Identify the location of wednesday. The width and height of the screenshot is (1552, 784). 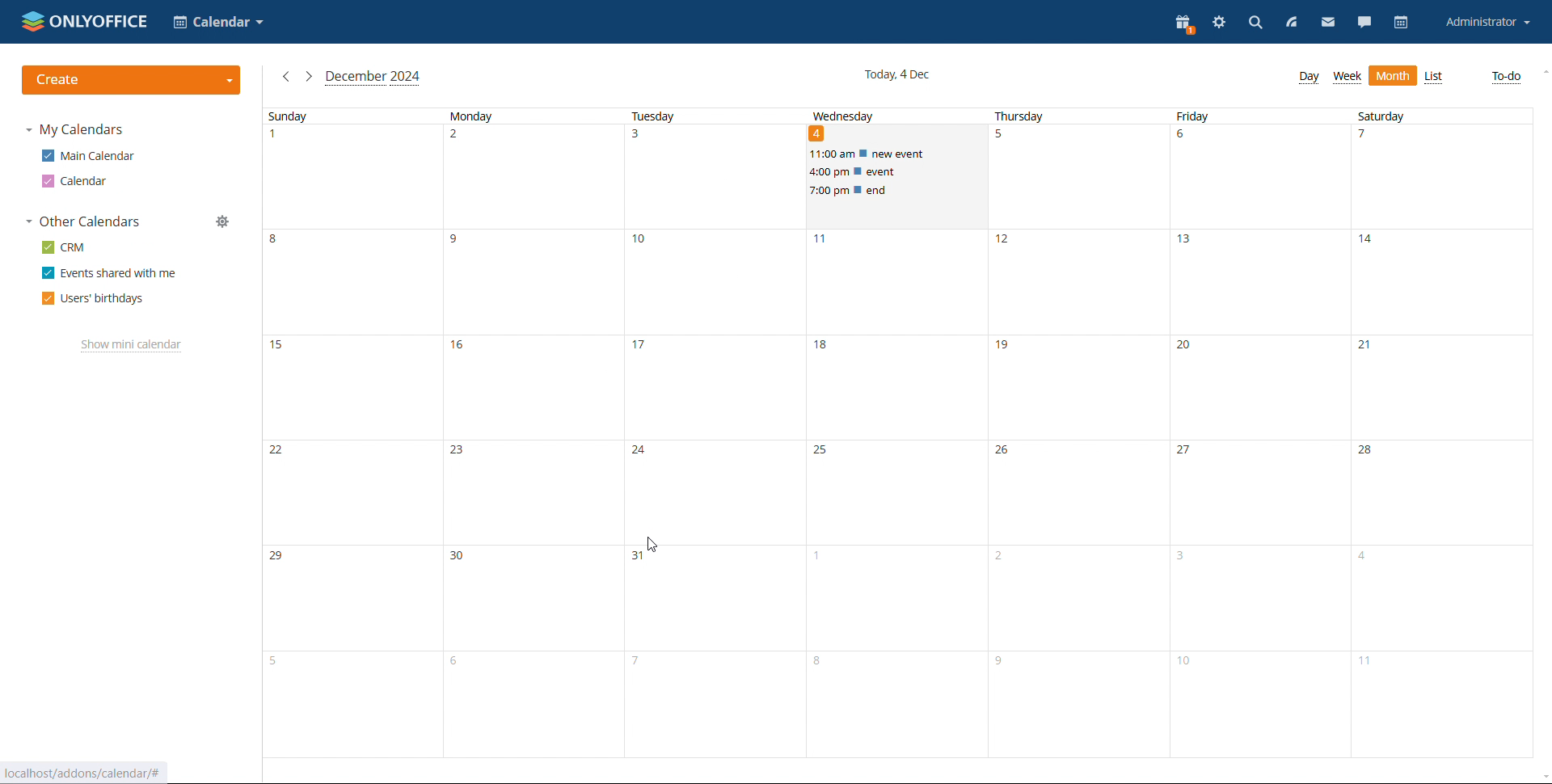
(846, 114).